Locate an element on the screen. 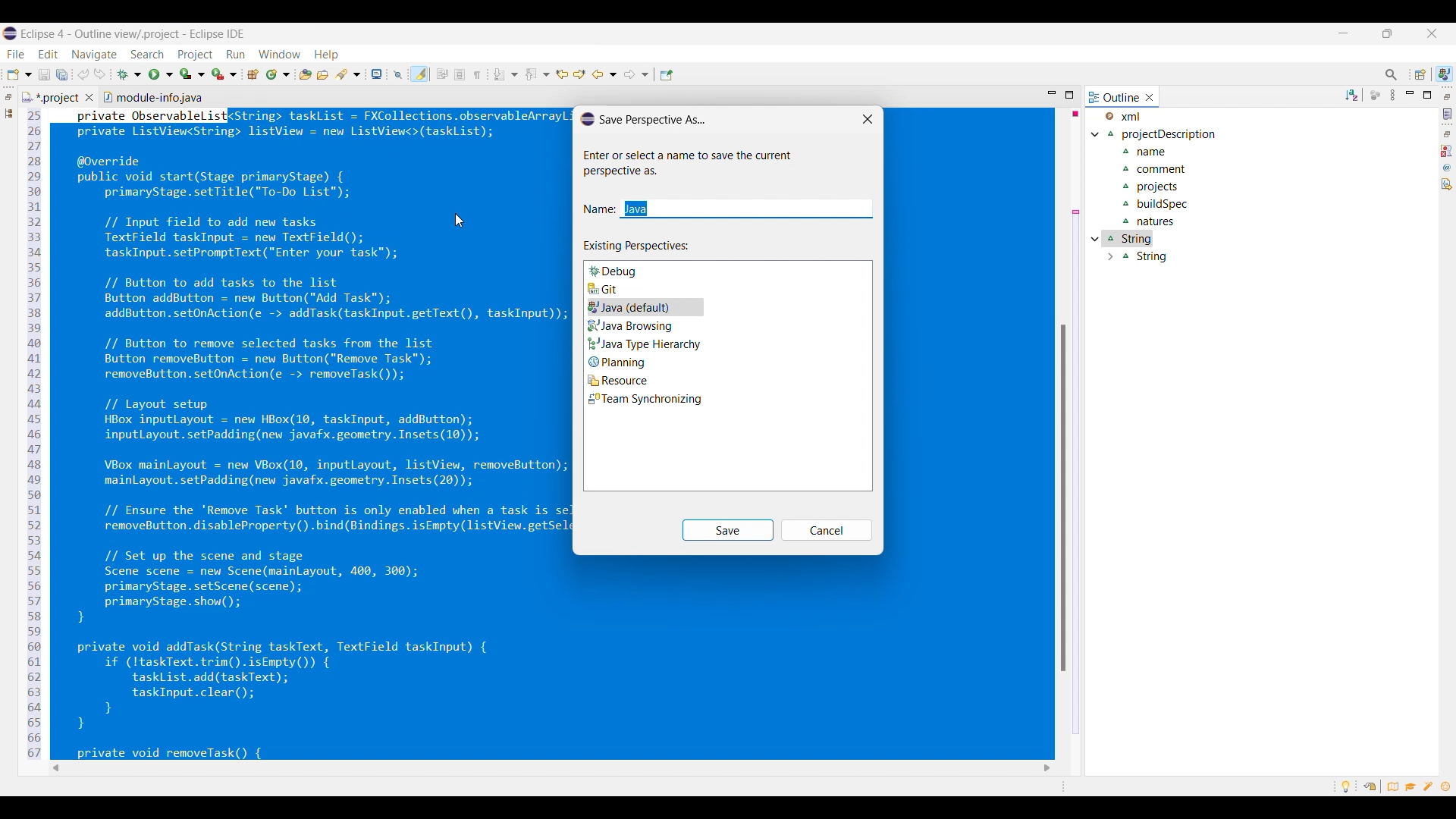  Text box is located at coordinates (746, 209).